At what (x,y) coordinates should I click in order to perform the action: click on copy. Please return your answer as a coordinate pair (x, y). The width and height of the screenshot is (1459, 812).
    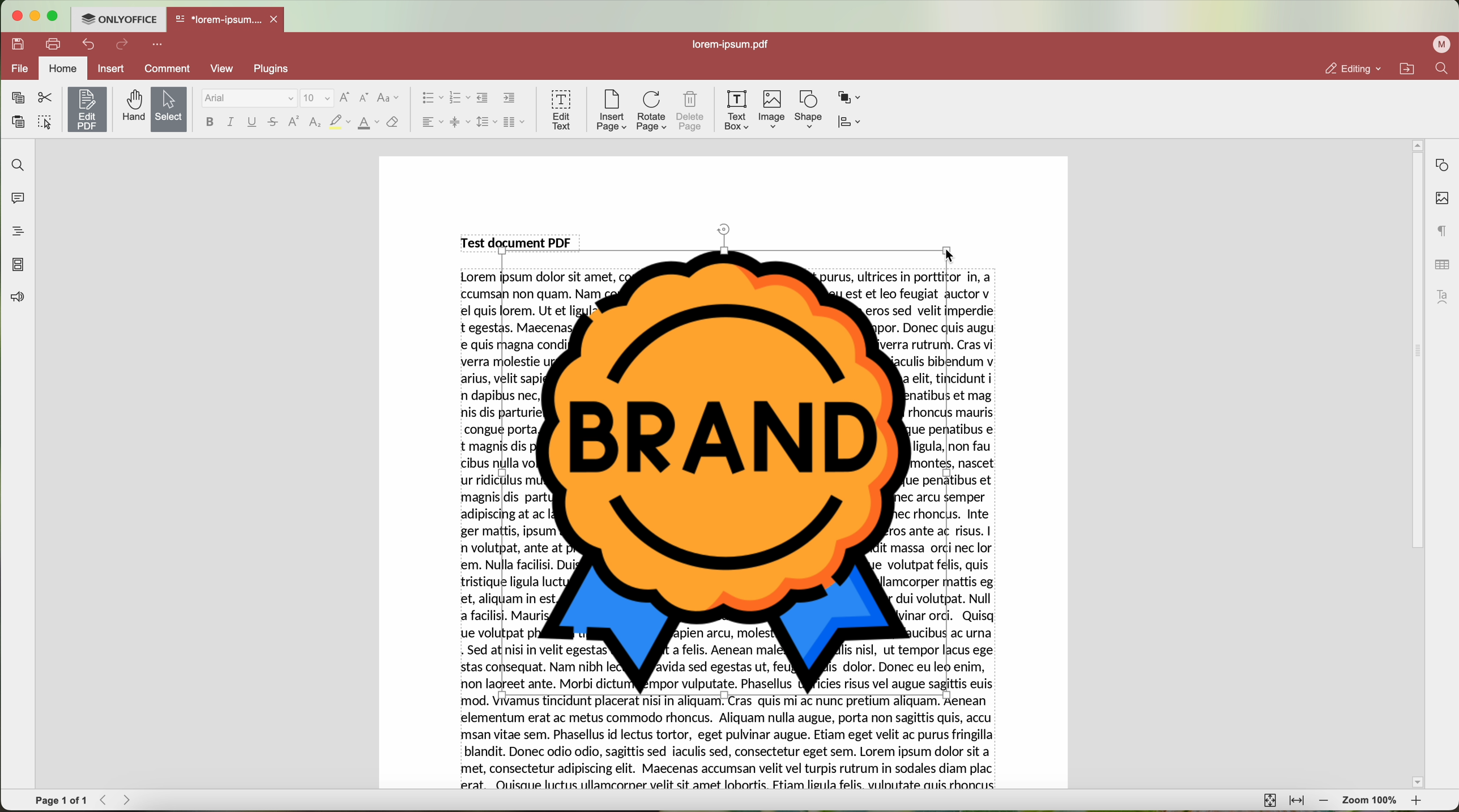
    Looking at the image, I should click on (18, 98).